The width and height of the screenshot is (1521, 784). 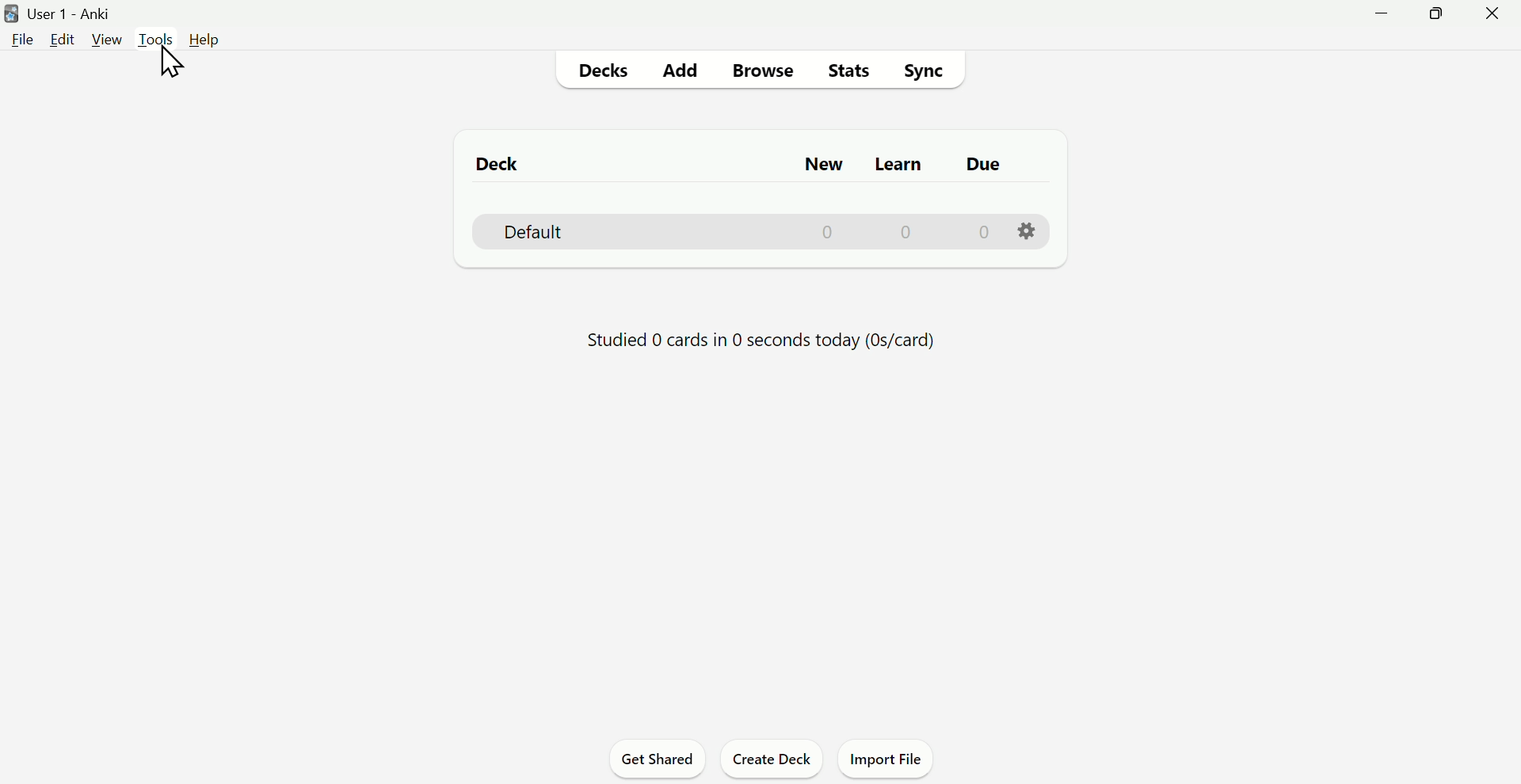 What do you see at coordinates (899, 163) in the screenshot?
I see `Learn` at bounding box center [899, 163].